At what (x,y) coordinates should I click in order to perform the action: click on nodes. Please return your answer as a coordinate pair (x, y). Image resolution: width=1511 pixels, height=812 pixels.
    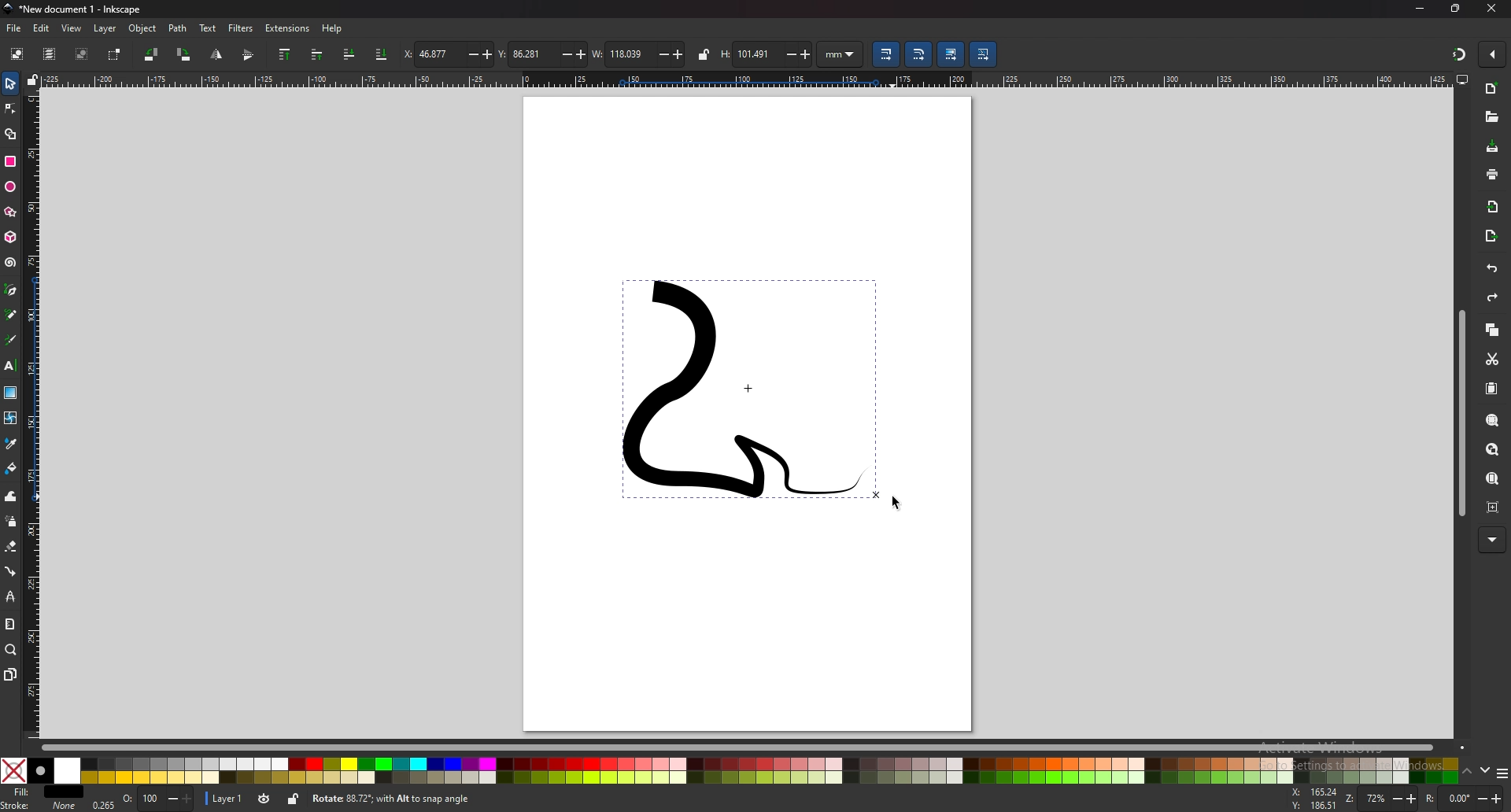
    Looking at the image, I should click on (11, 108).